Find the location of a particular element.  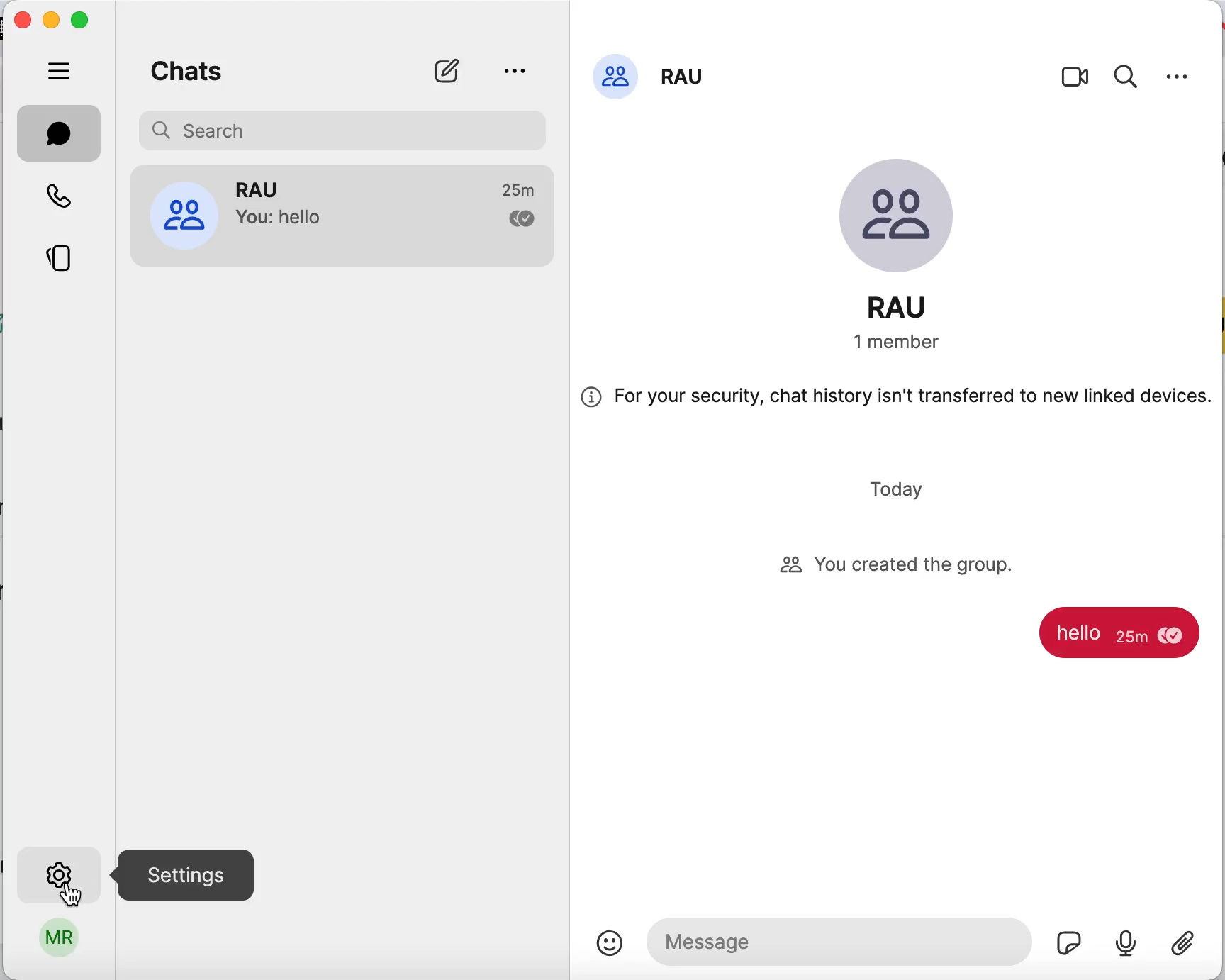

cursor is located at coordinates (71, 899).